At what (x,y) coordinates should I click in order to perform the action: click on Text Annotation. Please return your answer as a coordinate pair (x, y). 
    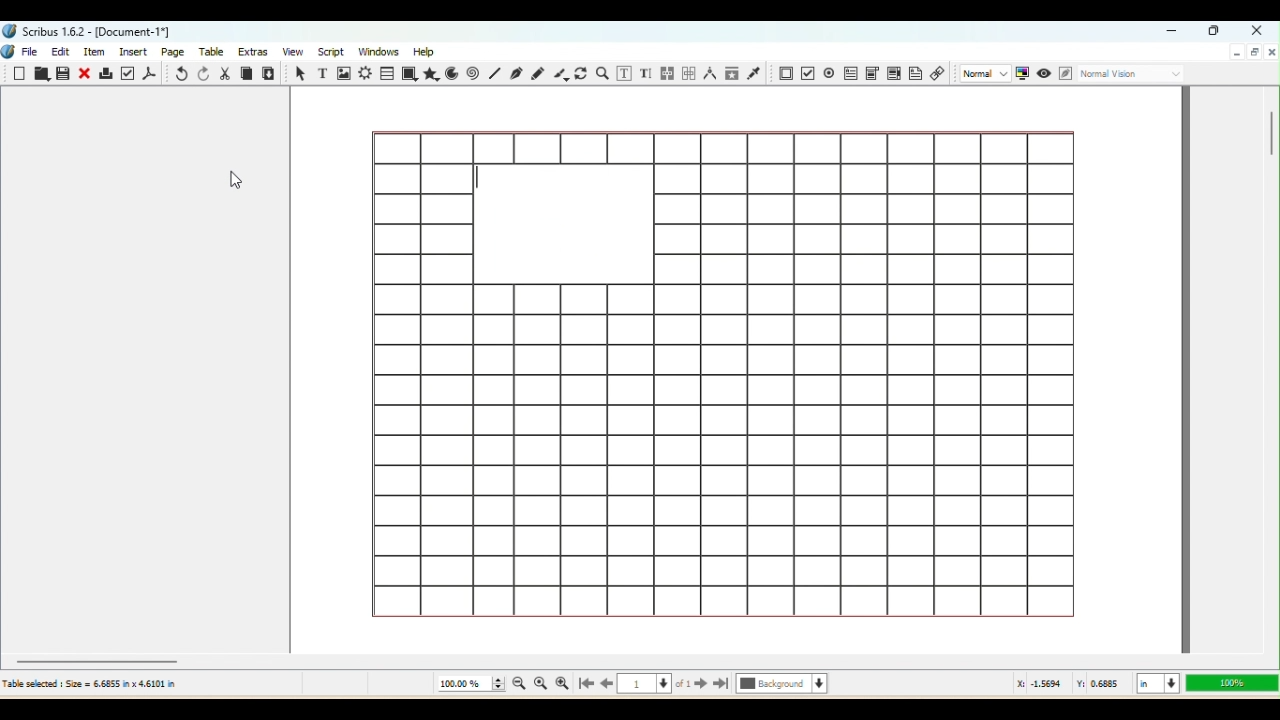
    Looking at the image, I should click on (915, 76).